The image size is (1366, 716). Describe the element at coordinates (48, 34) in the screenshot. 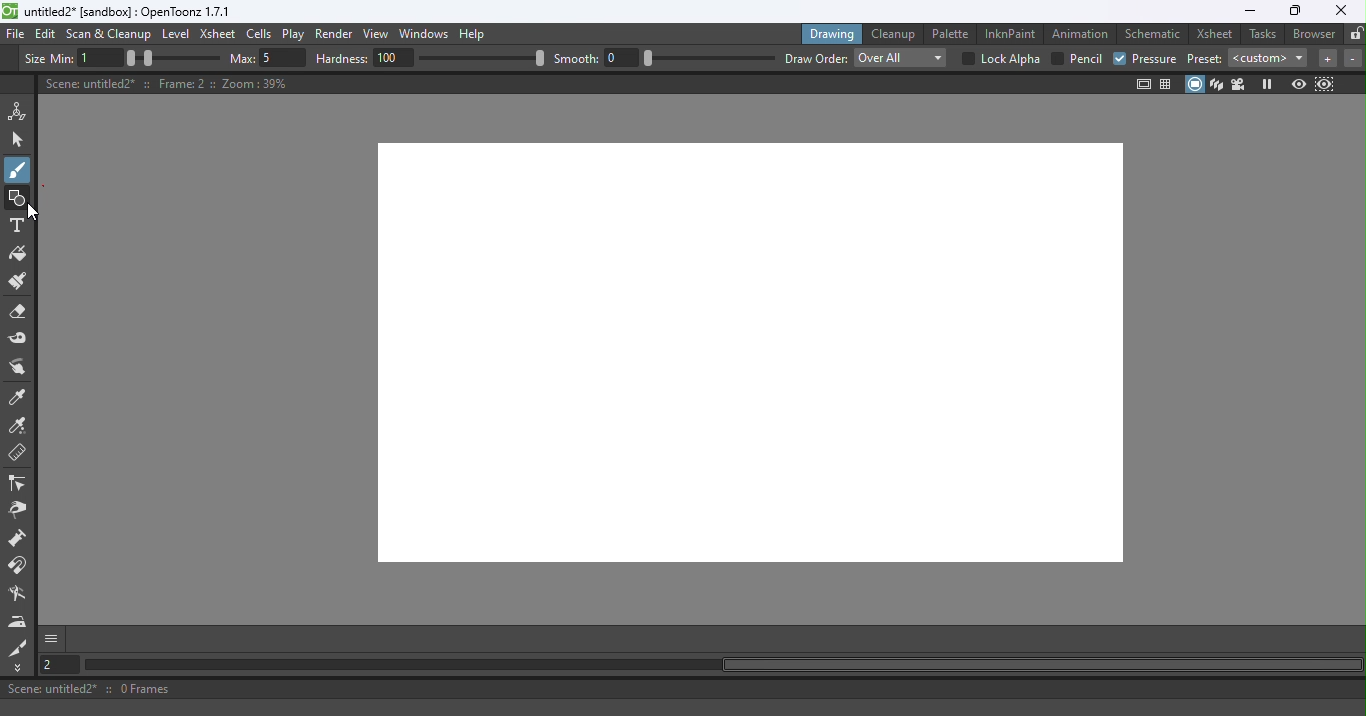

I see `Edit` at that location.